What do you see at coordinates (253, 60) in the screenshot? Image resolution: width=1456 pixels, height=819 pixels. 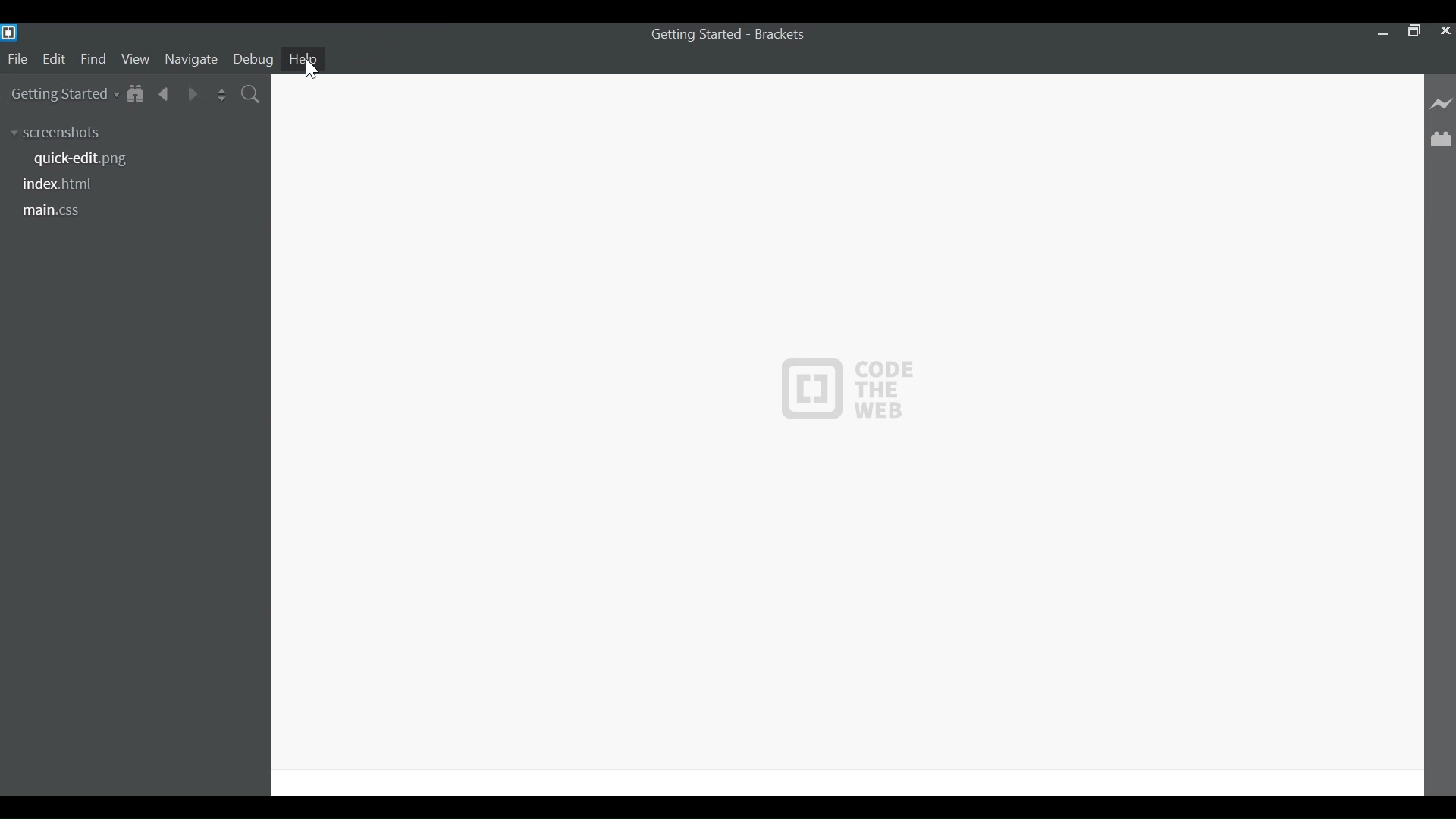 I see `Debug` at bounding box center [253, 60].